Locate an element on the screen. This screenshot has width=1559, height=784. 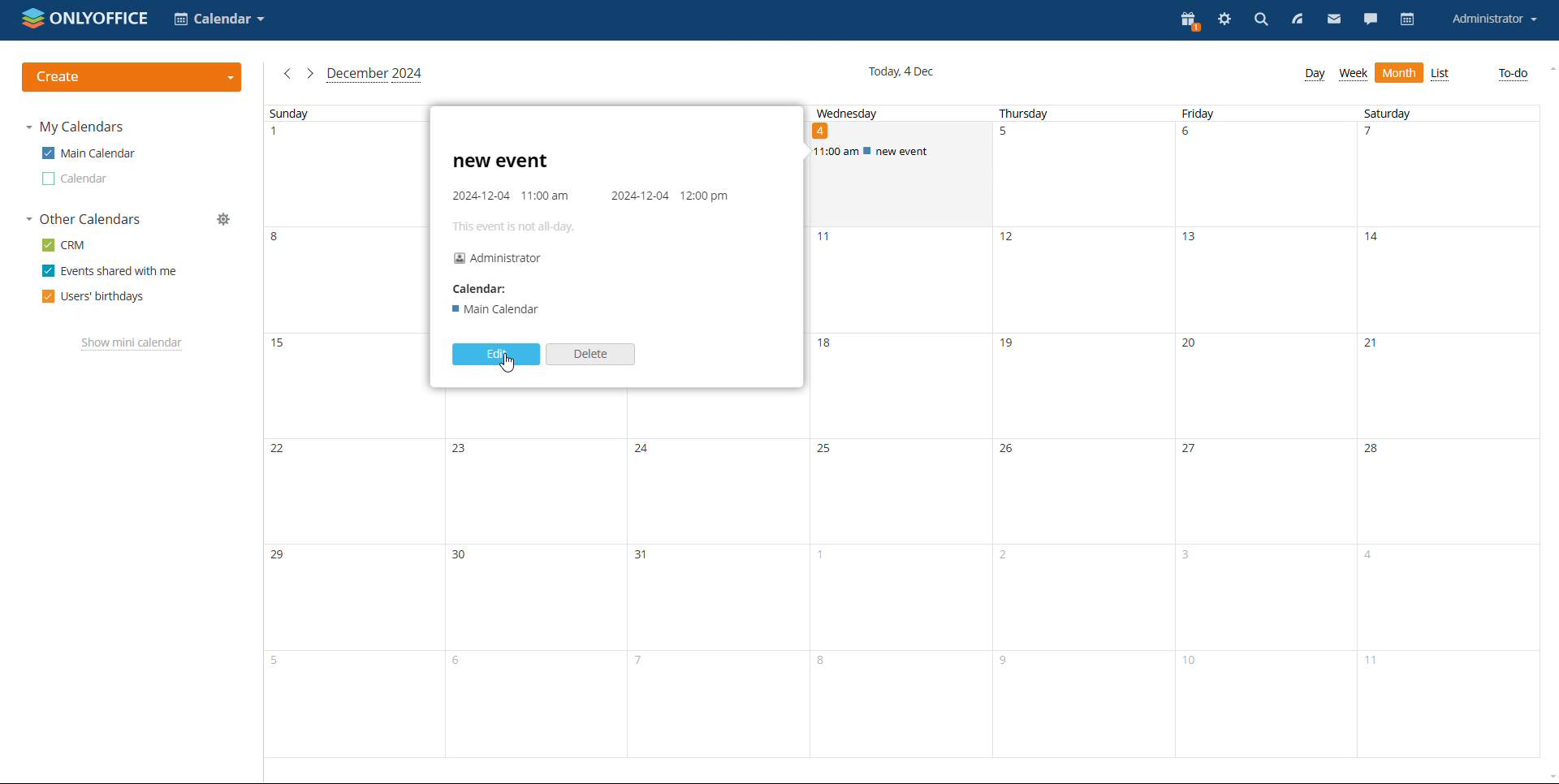
current date is located at coordinates (901, 72).